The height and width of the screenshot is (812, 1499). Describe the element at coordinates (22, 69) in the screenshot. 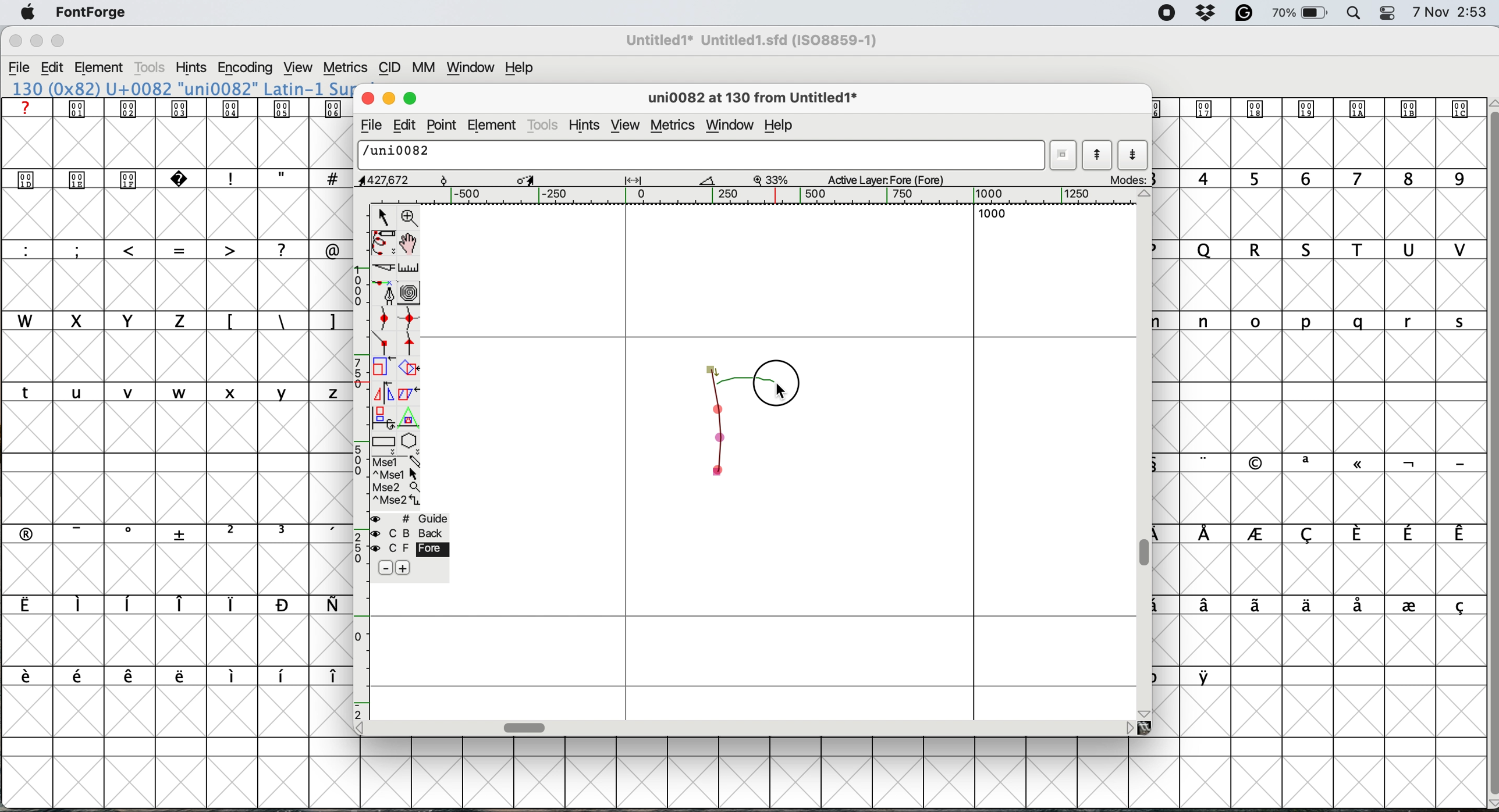

I see `file` at that location.